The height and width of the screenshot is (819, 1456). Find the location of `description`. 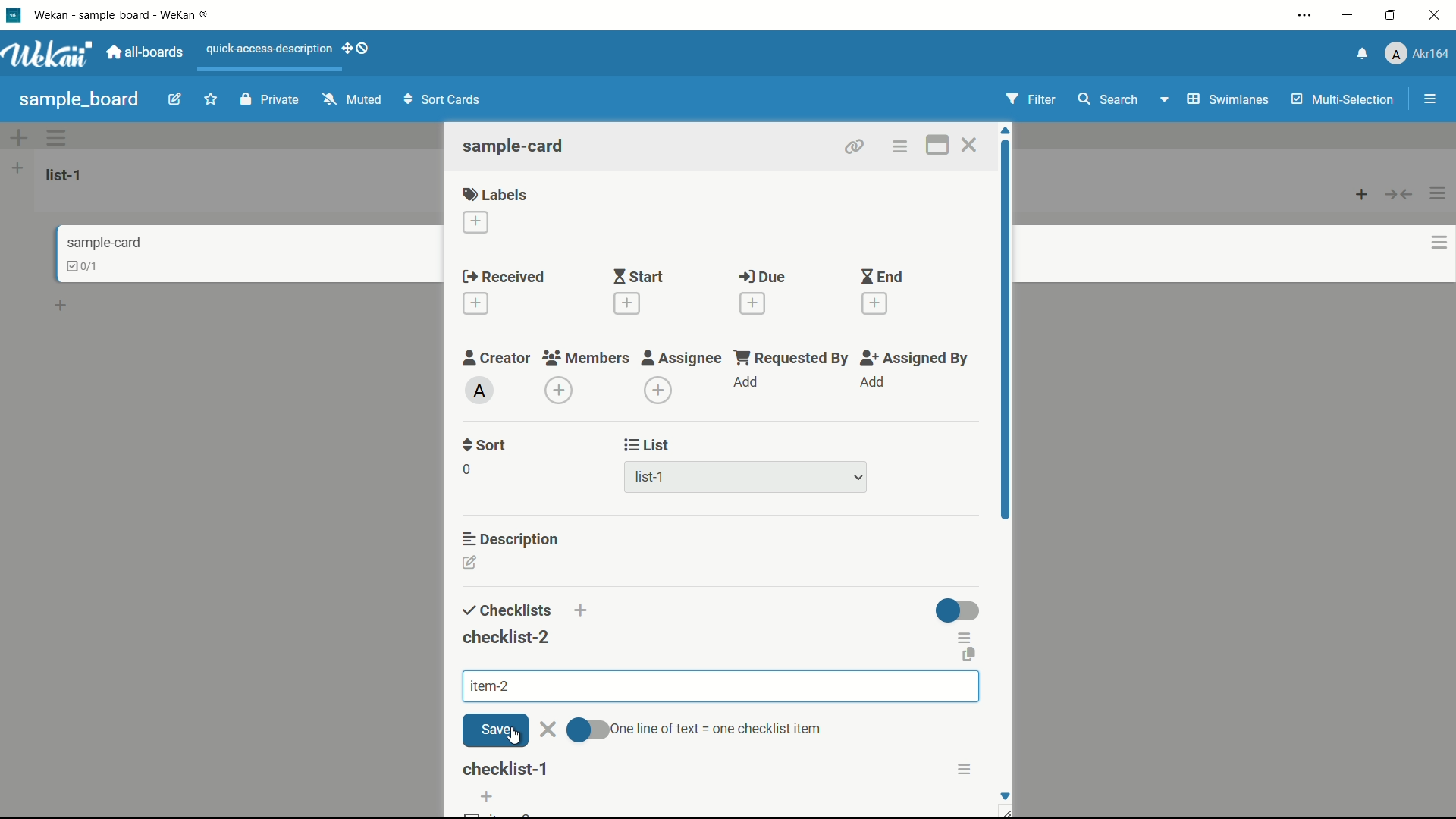

description is located at coordinates (512, 538).